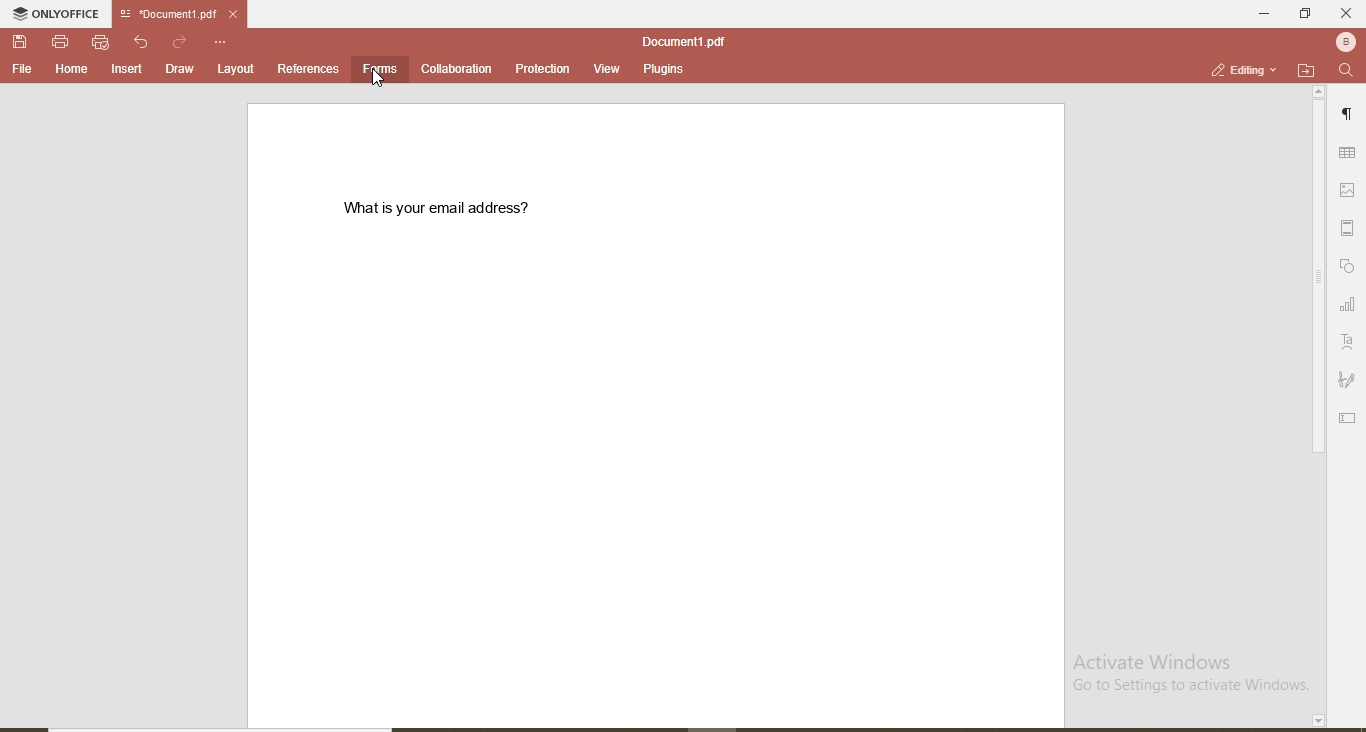 The width and height of the screenshot is (1366, 732). What do you see at coordinates (1350, 228) in the screenshot?
I see `margin` at bounding box center [1350, 228].